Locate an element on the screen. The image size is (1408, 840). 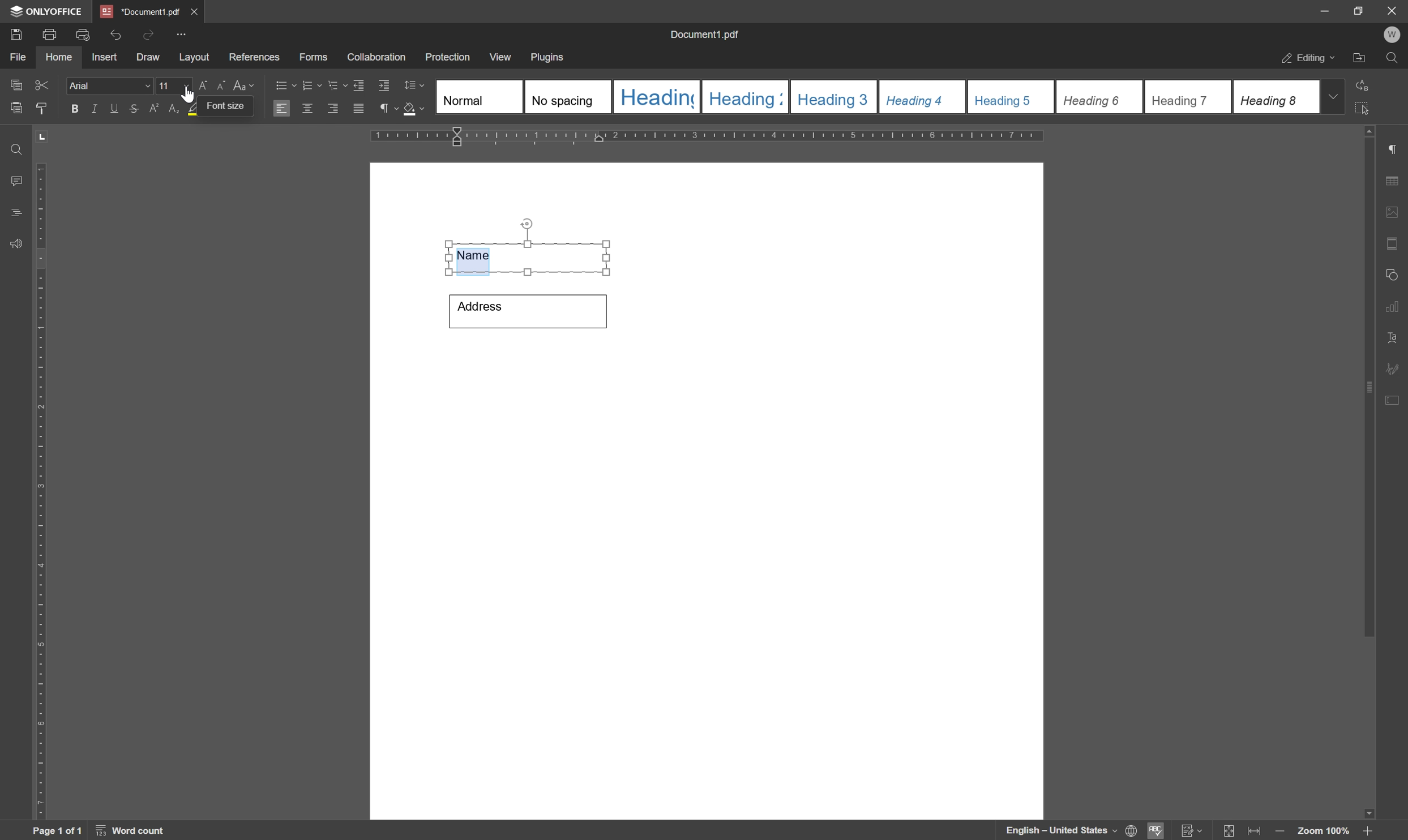
increment font size is located at coordinates (196, 85).